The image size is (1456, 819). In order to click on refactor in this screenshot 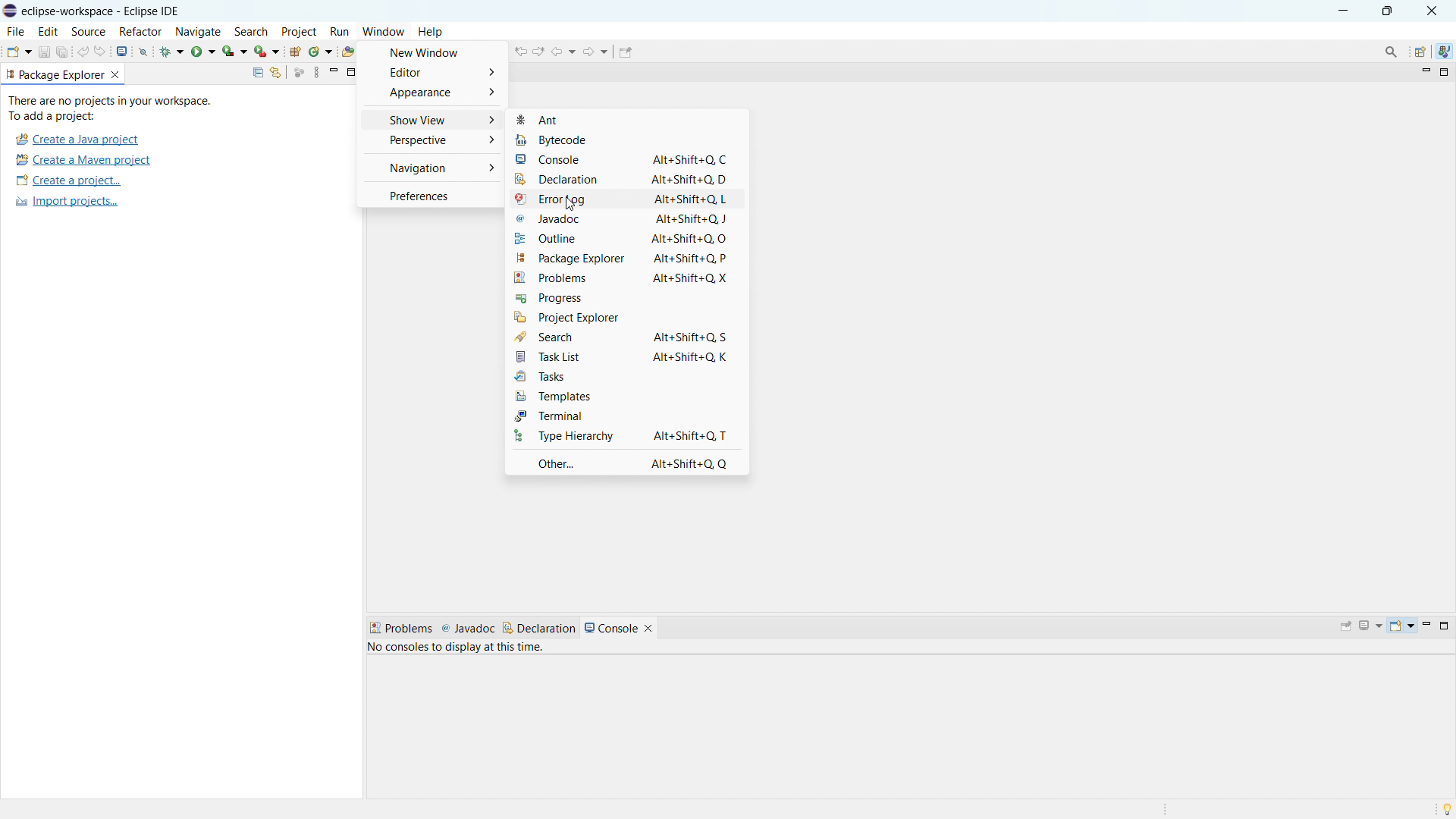, I will do `click(141, 31)`.